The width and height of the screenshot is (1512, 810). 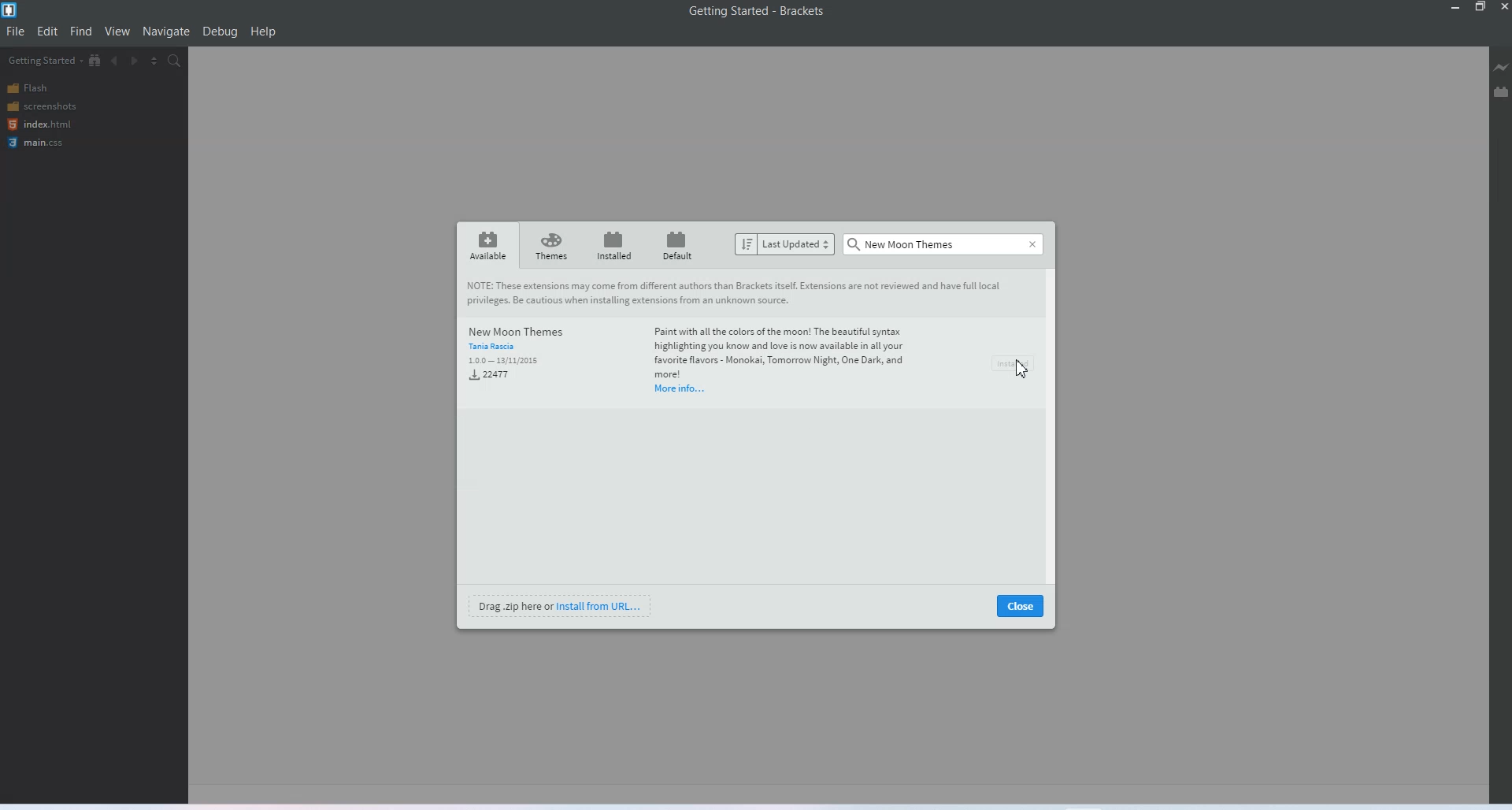 What do you see at coordinates (1501, 87) in the screenshot?
I see `Extension manager` at bounding box center [1501, 87].